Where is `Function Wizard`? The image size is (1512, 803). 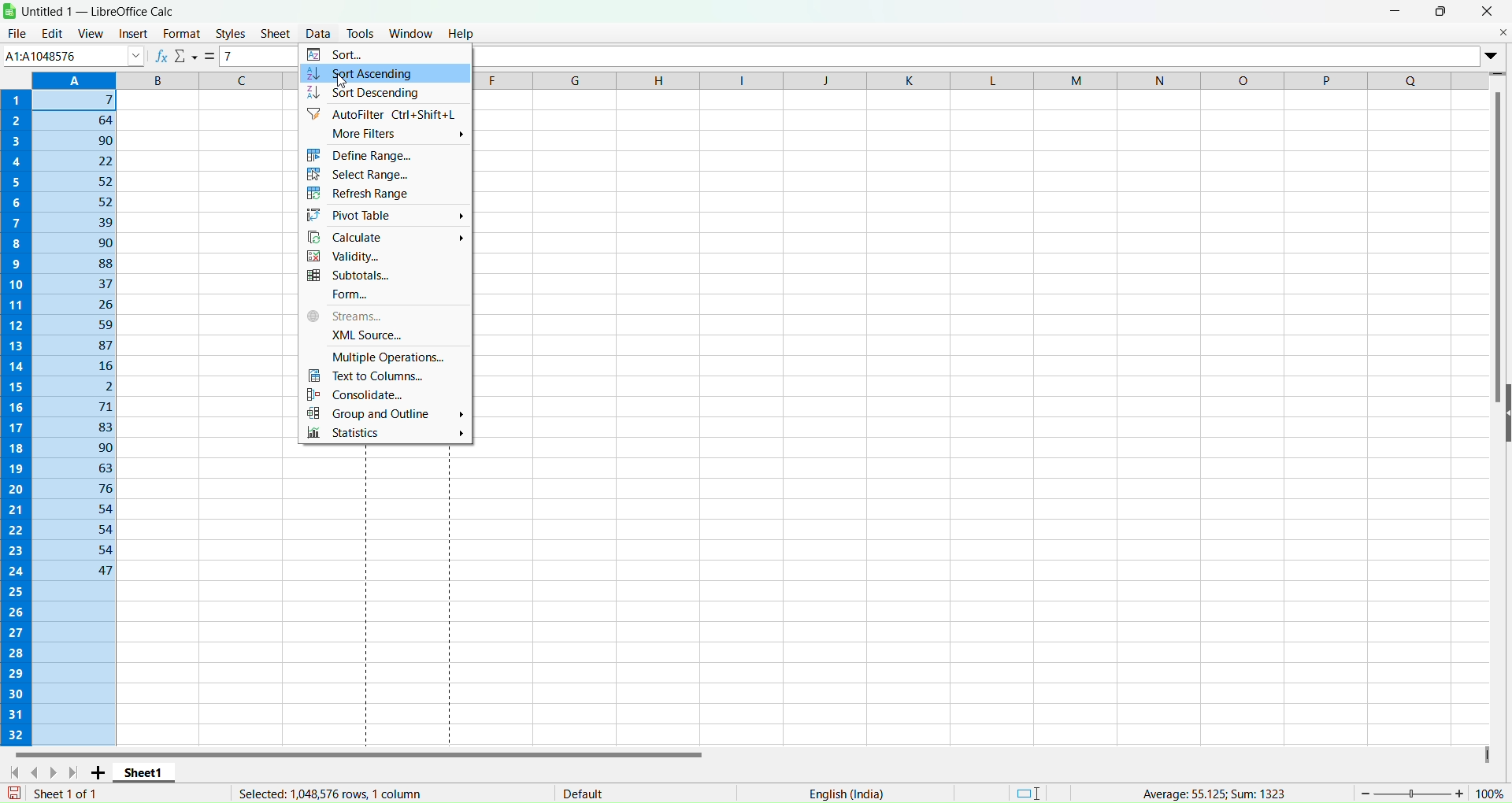 Function Wizard is located at coordinates (161, 56).